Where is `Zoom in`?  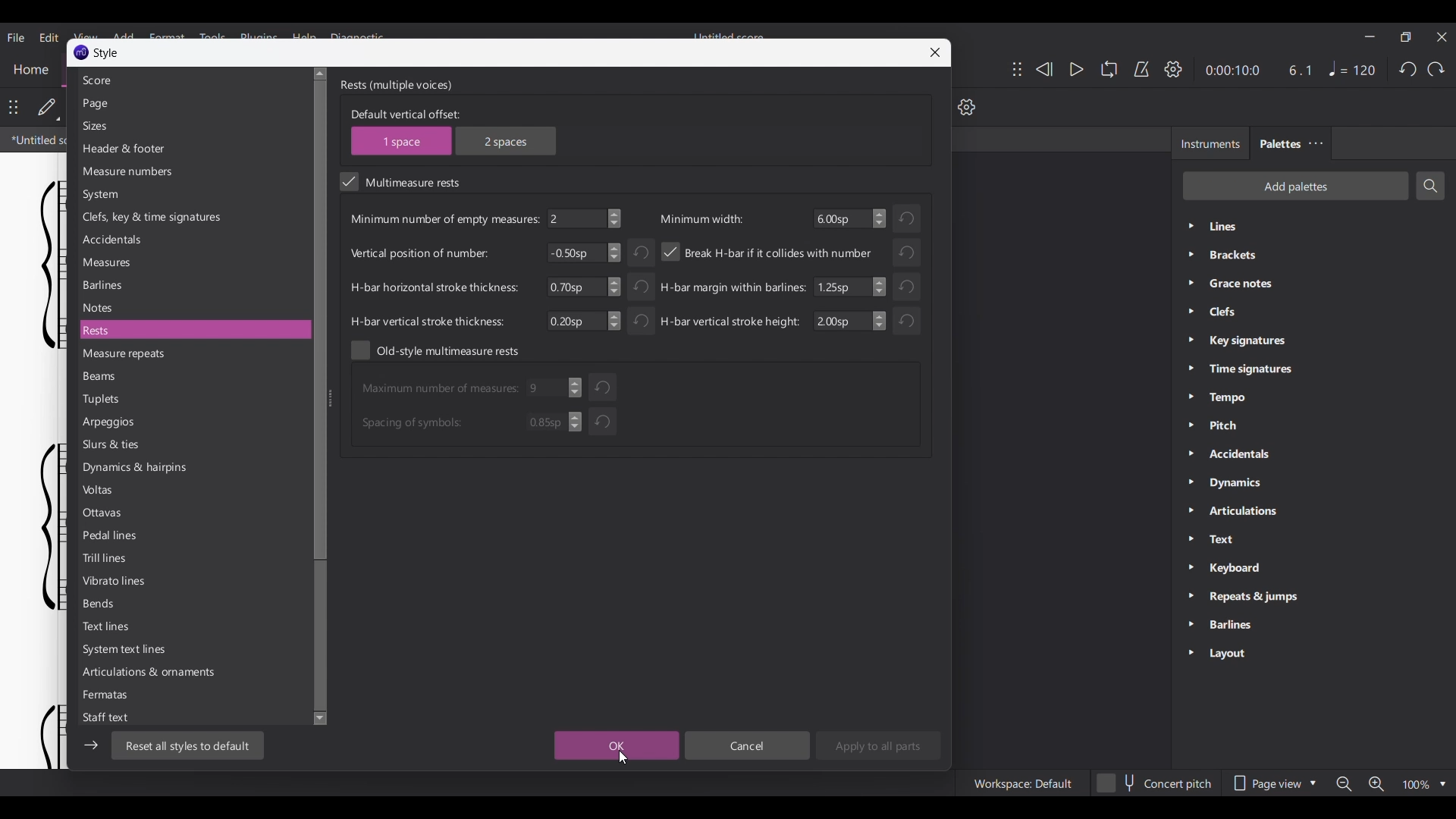 Zoom in is located at coordinates (1375, 783).